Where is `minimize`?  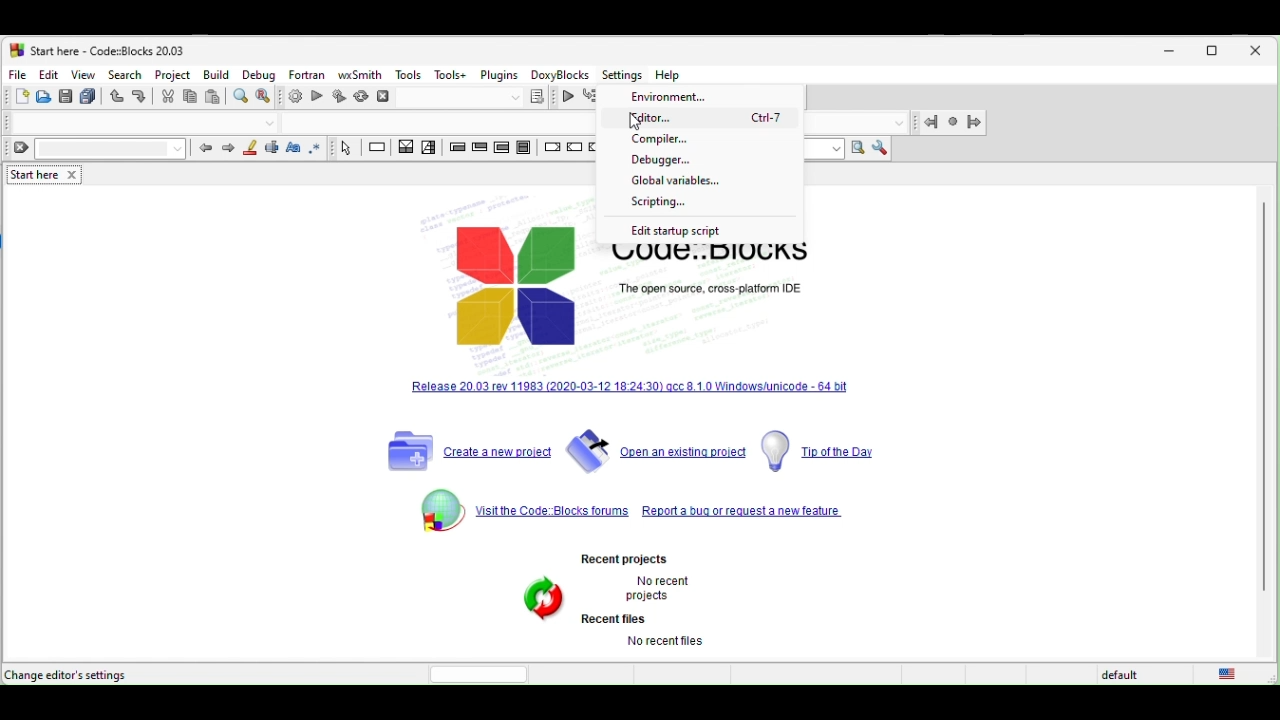 minimize is located at coordinates (1170, 52).